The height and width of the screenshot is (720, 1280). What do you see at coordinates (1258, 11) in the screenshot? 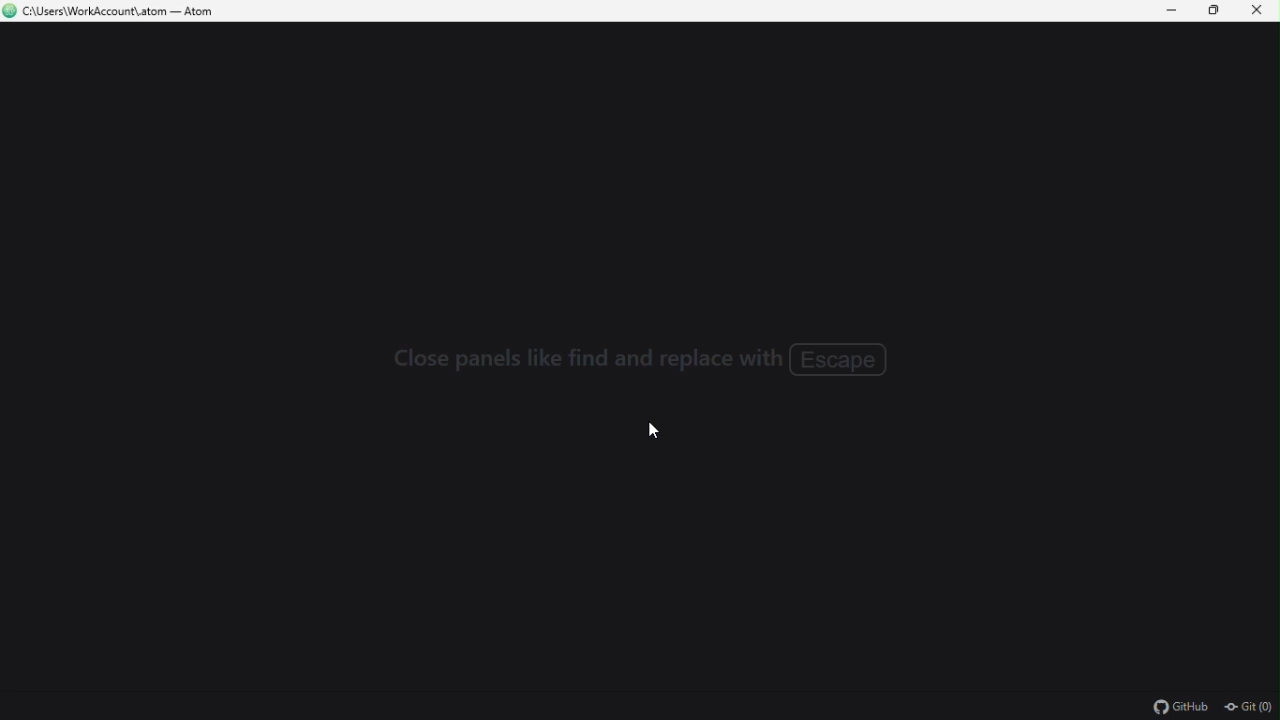
I see `Close` at bounding box center [1258, 11].